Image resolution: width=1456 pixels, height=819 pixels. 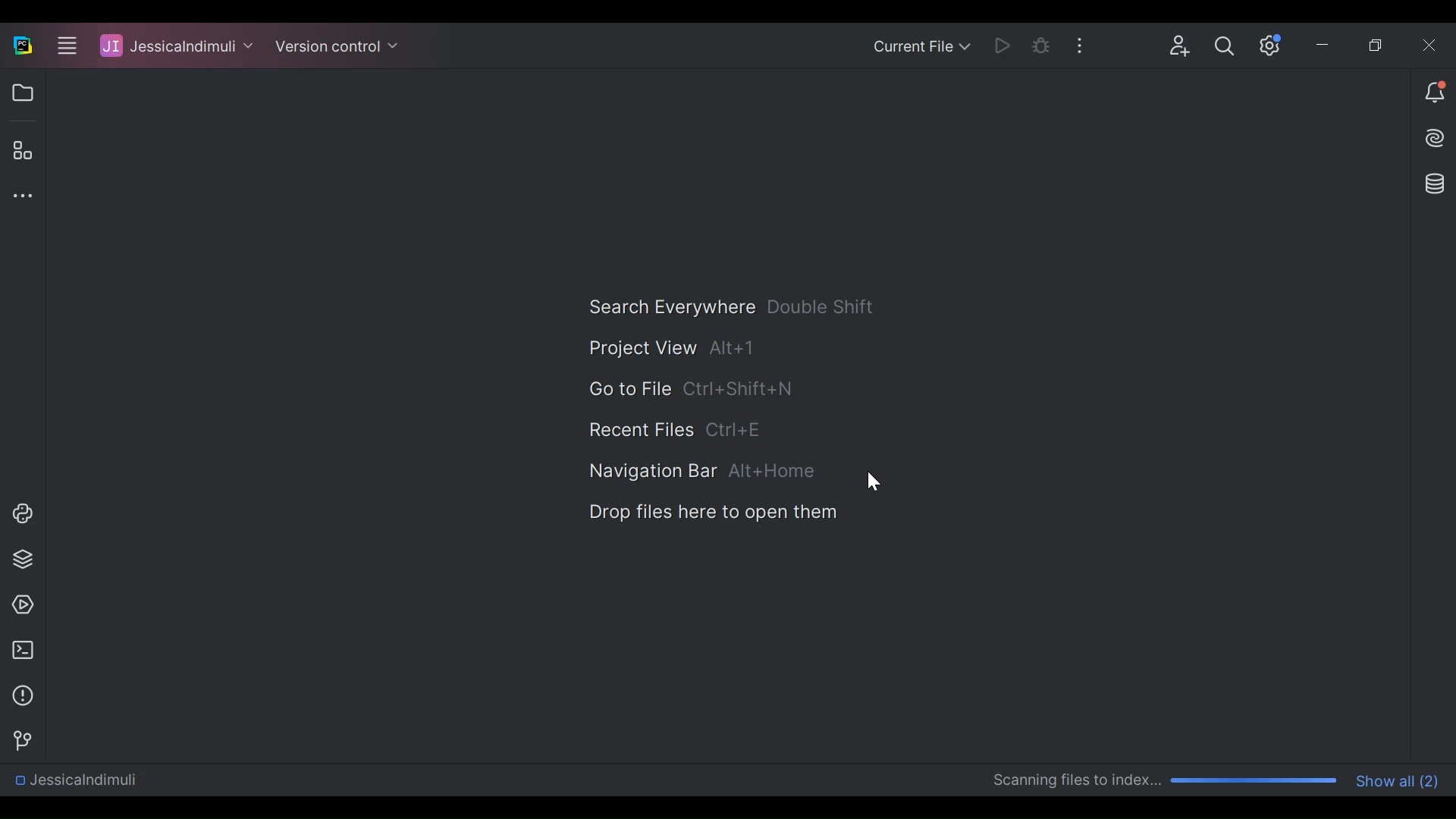 What do you see at coordinates (72, 46) in the screenshot?
I see `File` at bounding box center [72, 46].